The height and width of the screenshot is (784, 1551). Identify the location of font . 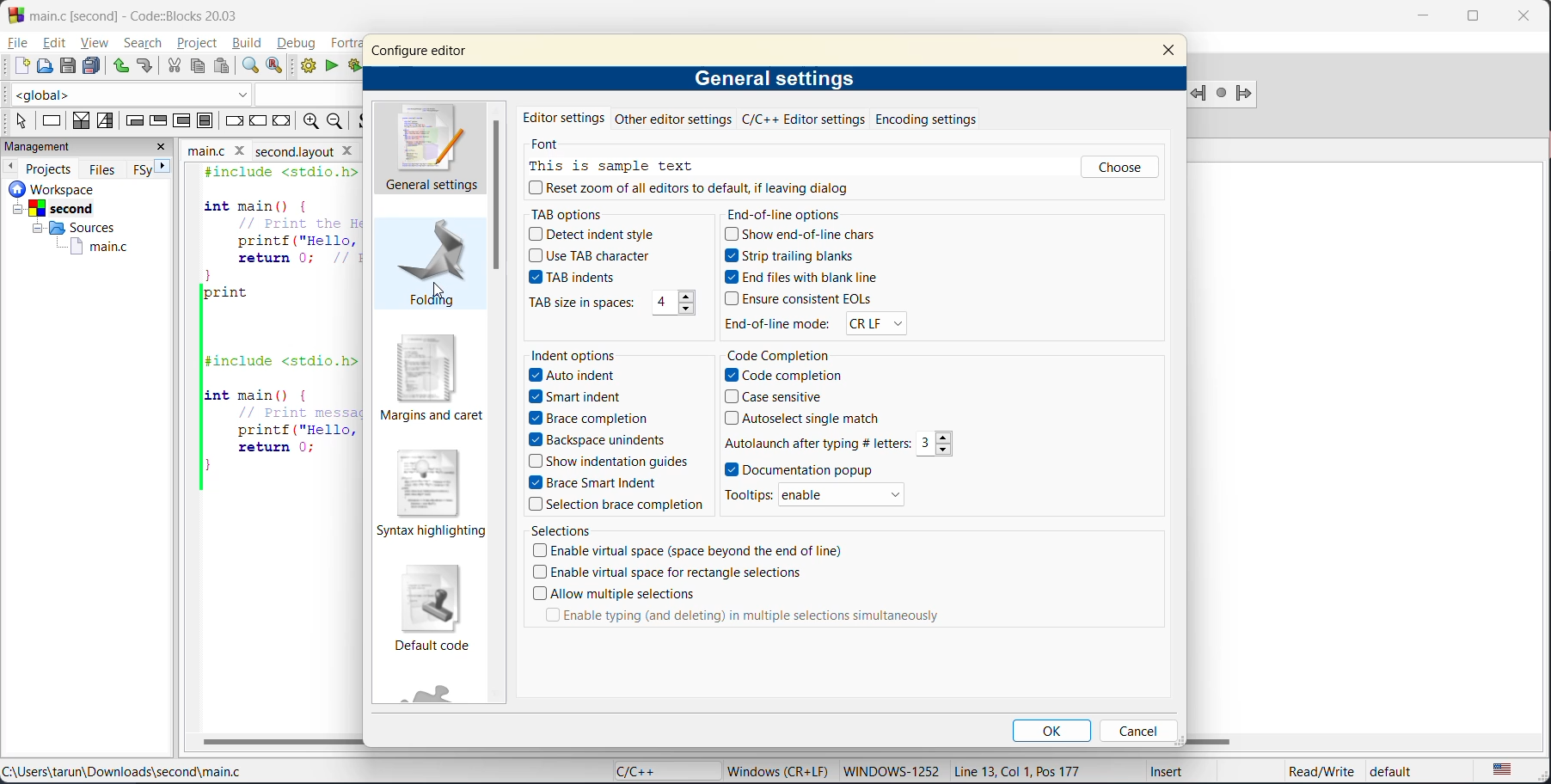
(545, 144).